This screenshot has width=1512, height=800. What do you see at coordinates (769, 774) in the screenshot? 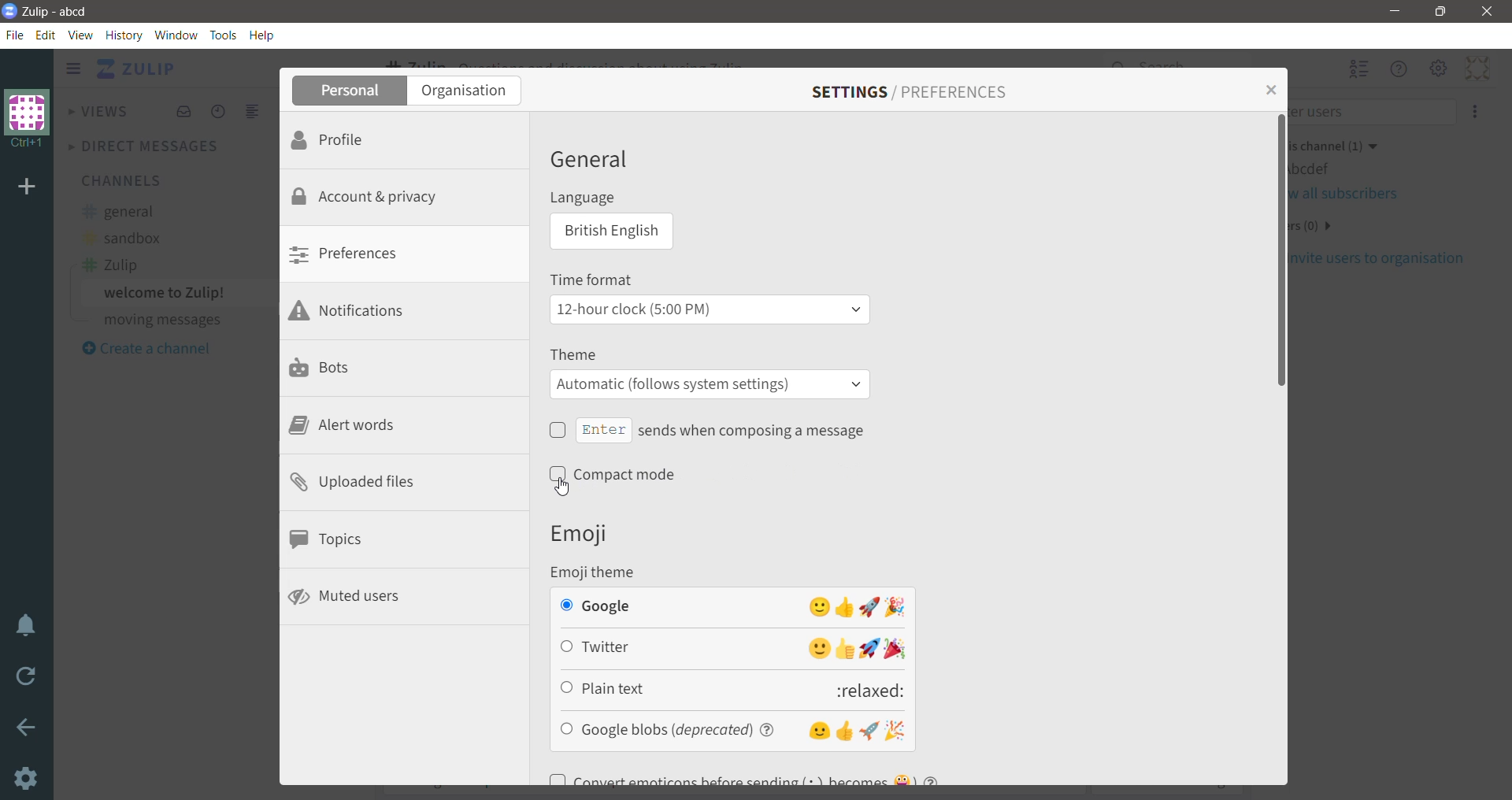
I see `Convert emoticons before sending - Click to enable/disable` at bounding box center [769, 774].